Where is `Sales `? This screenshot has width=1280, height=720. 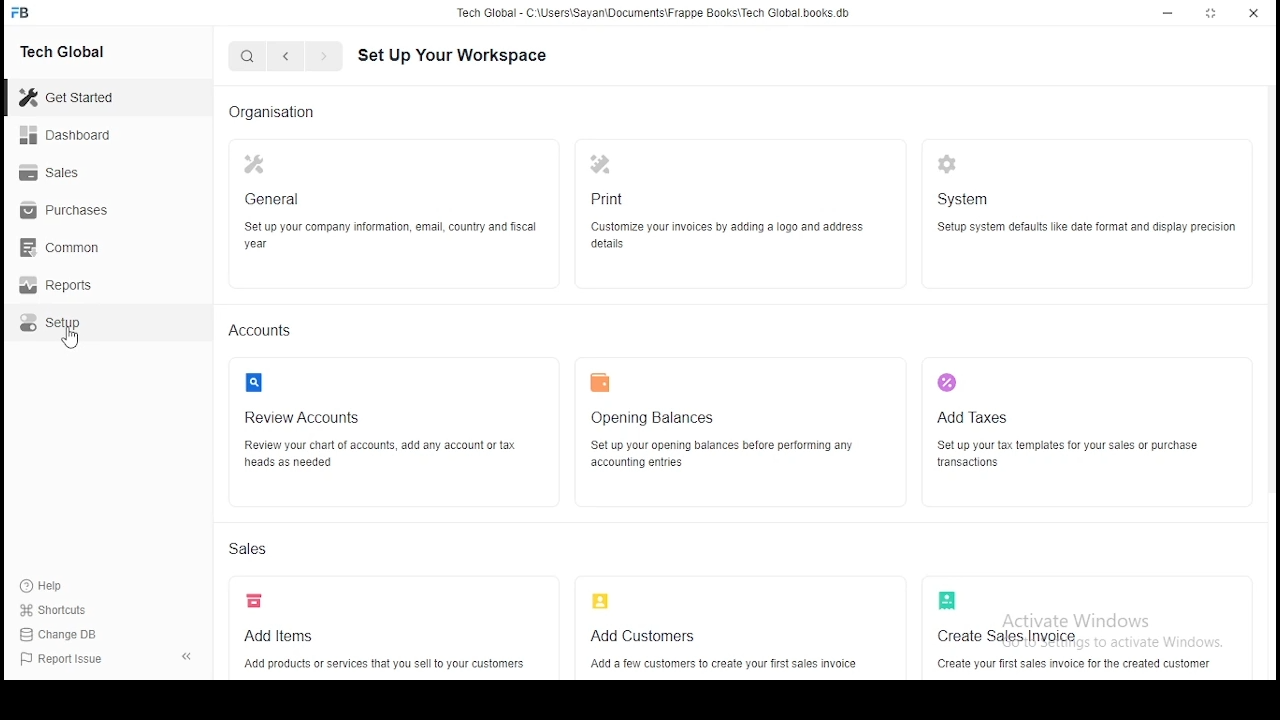 Sales  is located at coordinates (80, 175).